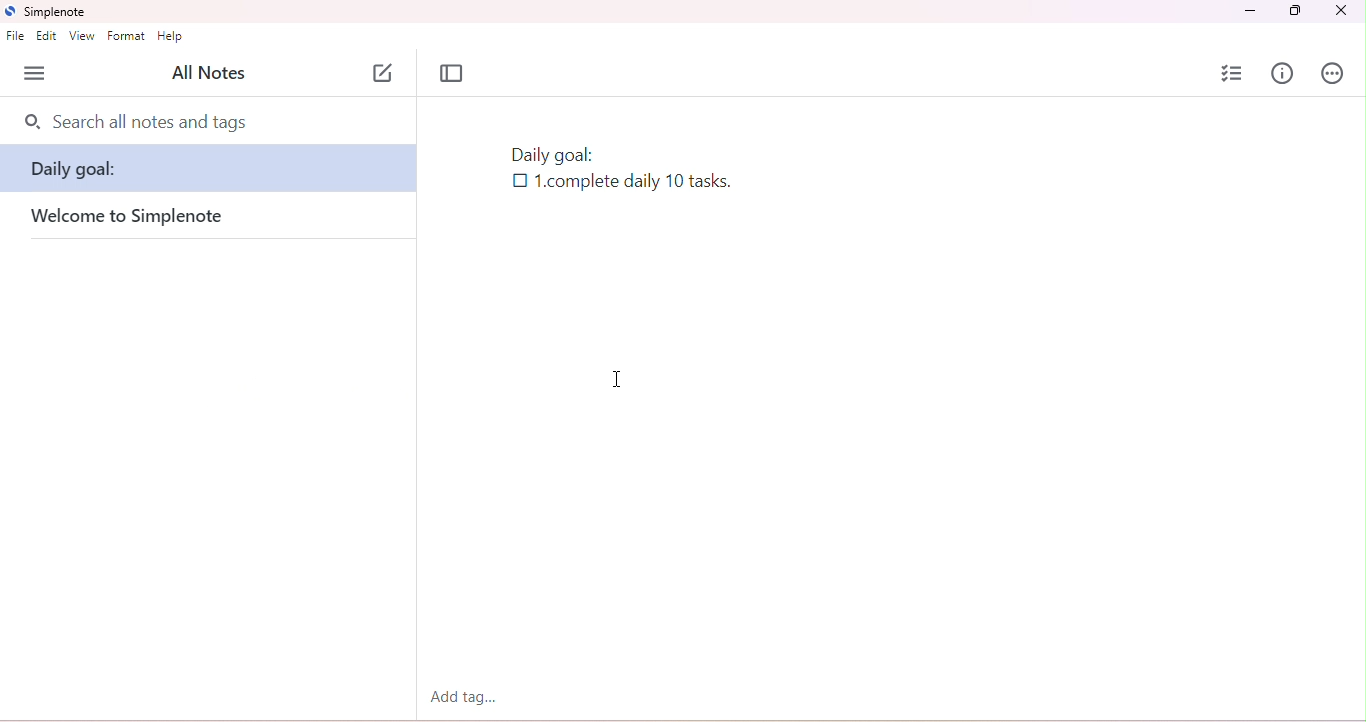 The height and width of the screenshot is (722, 1366). What do you see at coordinates (622, 382) in the screenshot?
I see `cursor` at bounding box center [622, 382].